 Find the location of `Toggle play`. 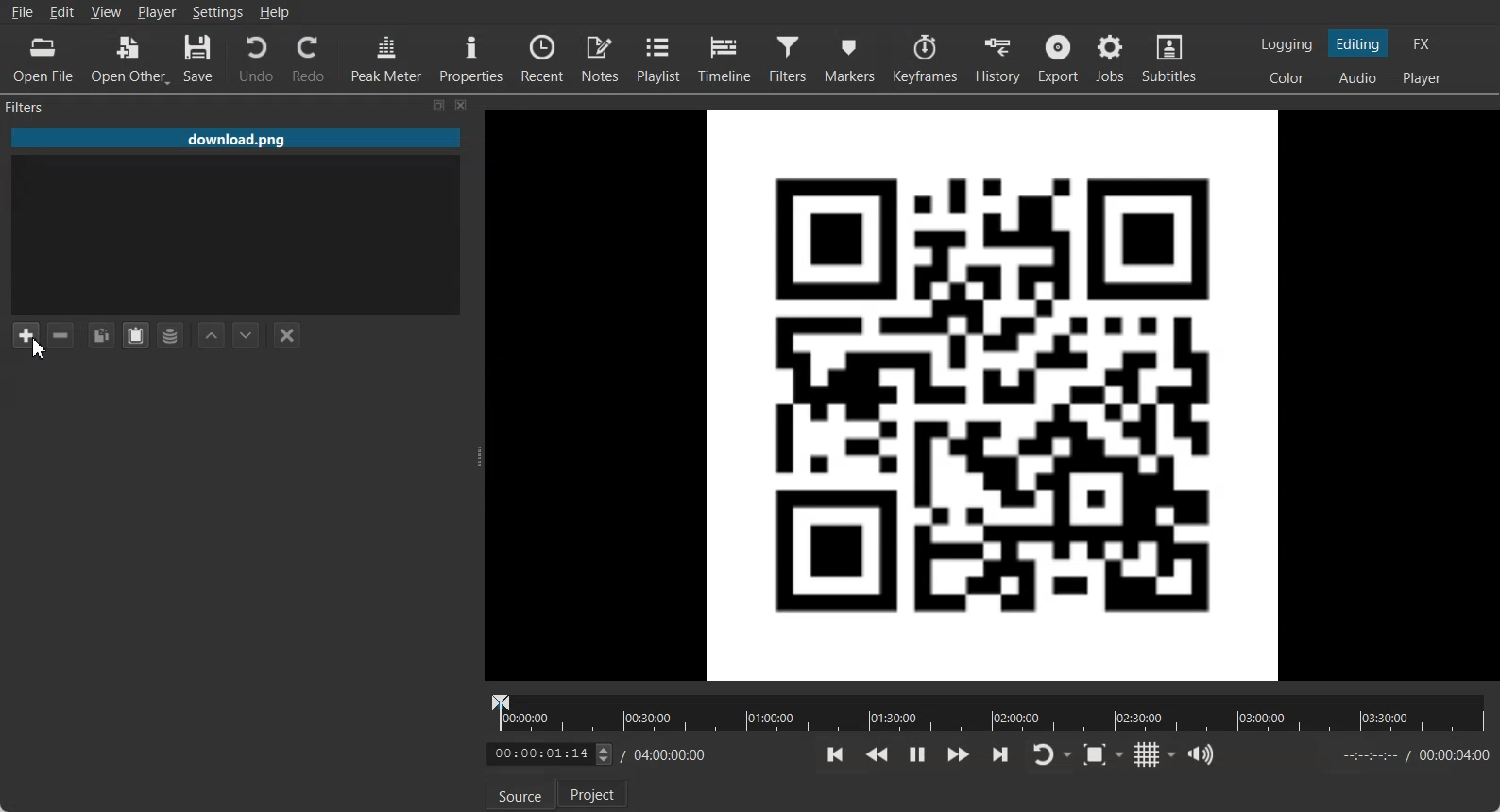

Toggle play is located at coordinates (917, 754).